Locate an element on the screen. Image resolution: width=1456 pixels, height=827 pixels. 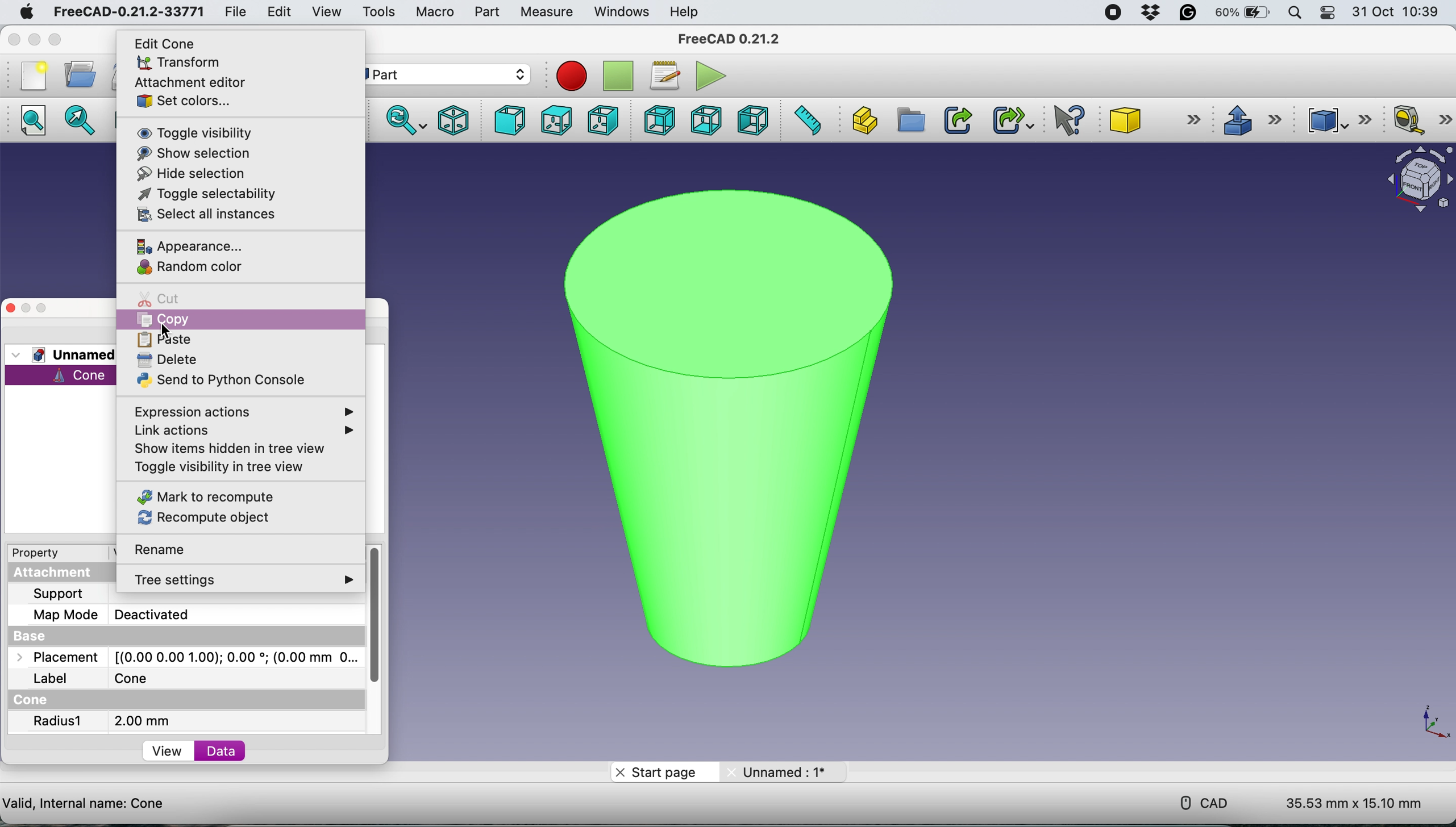
valid, internal name: cone is located at coordinates (85, 802).